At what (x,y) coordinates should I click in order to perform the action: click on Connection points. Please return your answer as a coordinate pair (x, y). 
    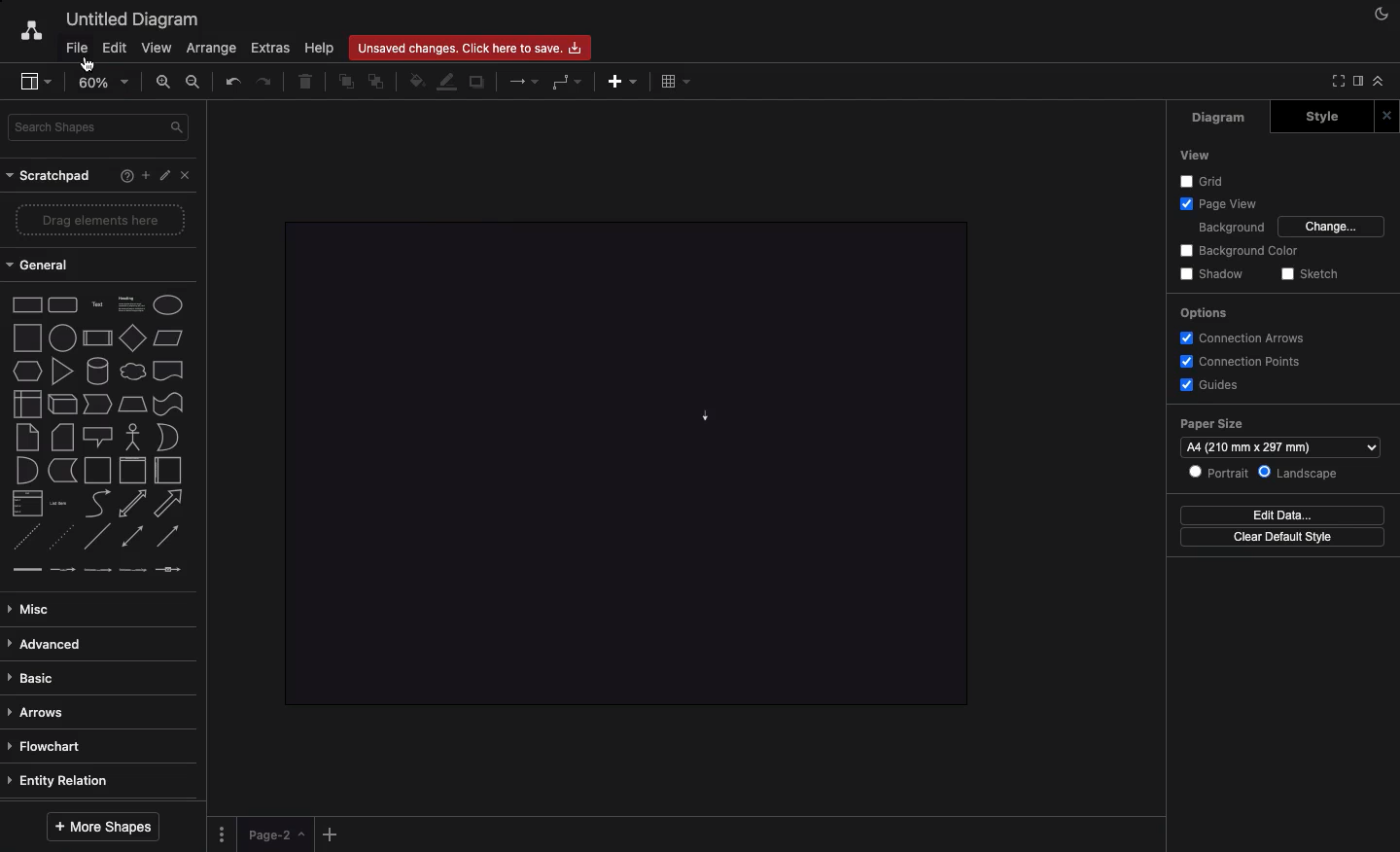
    Looking at the image, I should click on (1239, 361).